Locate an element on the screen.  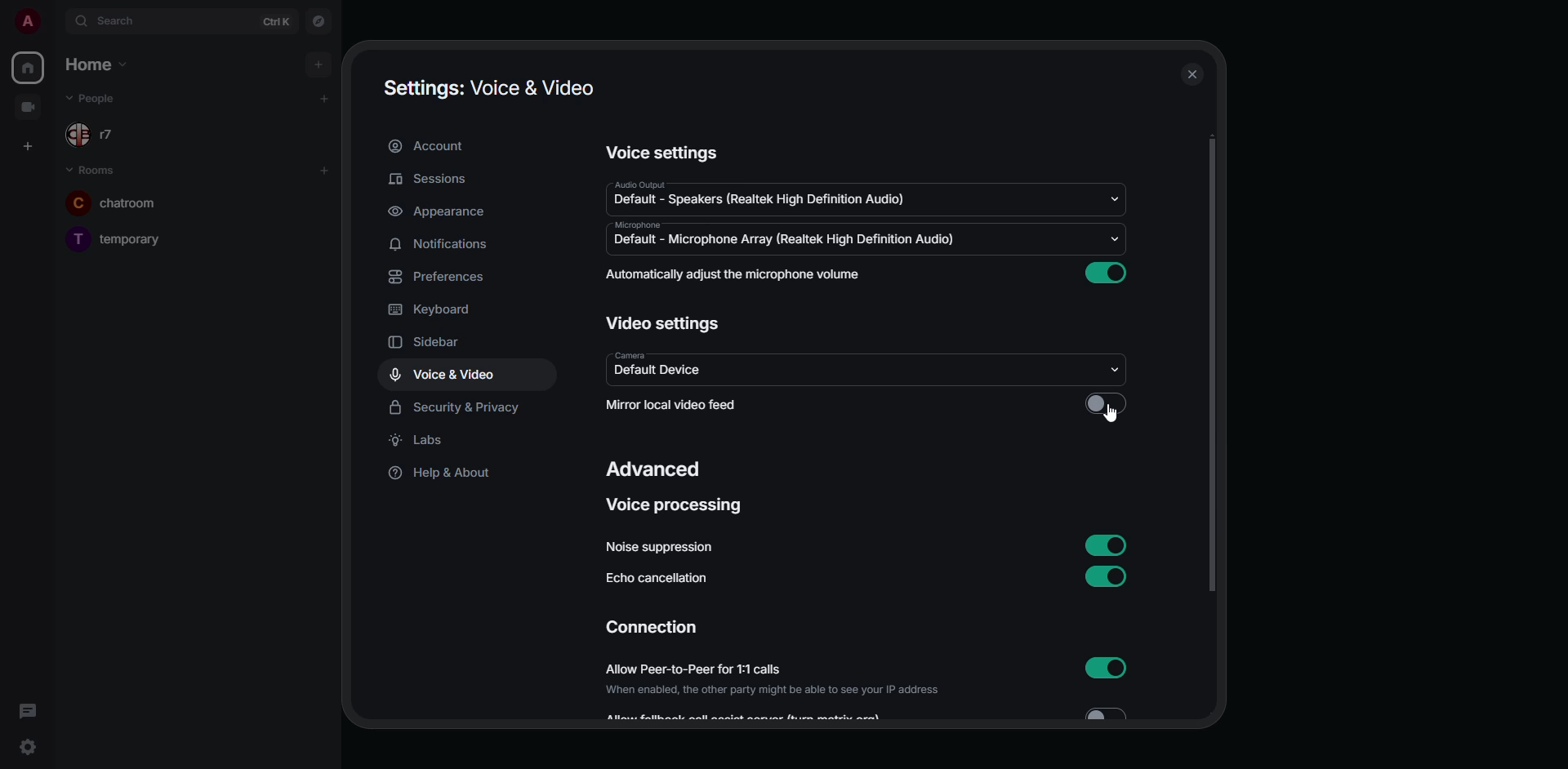
navigator is located at coordinates (320, 22).